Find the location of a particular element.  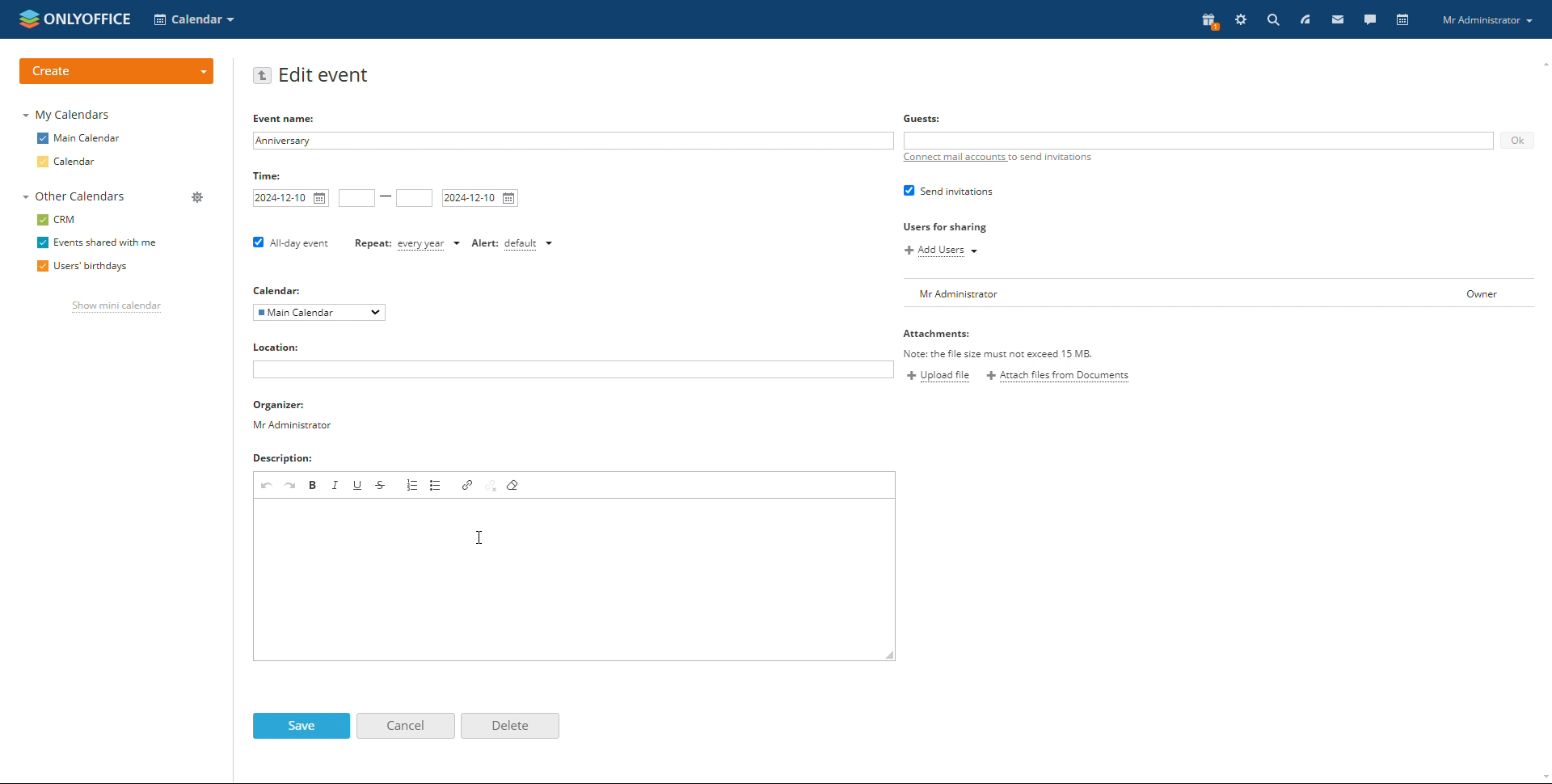

redo is located at coordinates (290, 484).